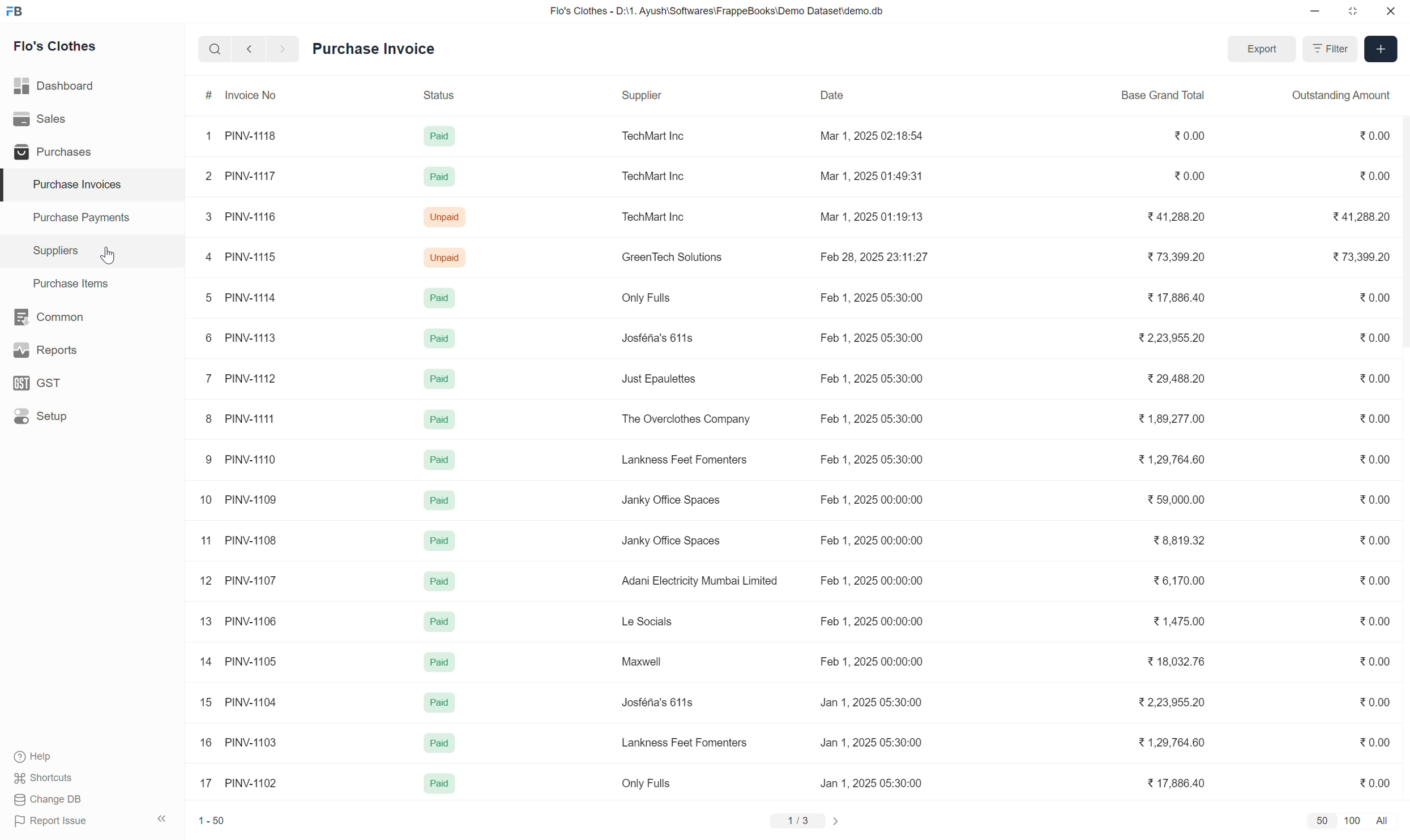 The height and width of the screenshot is (840, 1410). What do you see at coordinates (698, 580) in the screenshot?
I see `Adani Electricity Mumbai Limited` at bounding box center [698, 580].